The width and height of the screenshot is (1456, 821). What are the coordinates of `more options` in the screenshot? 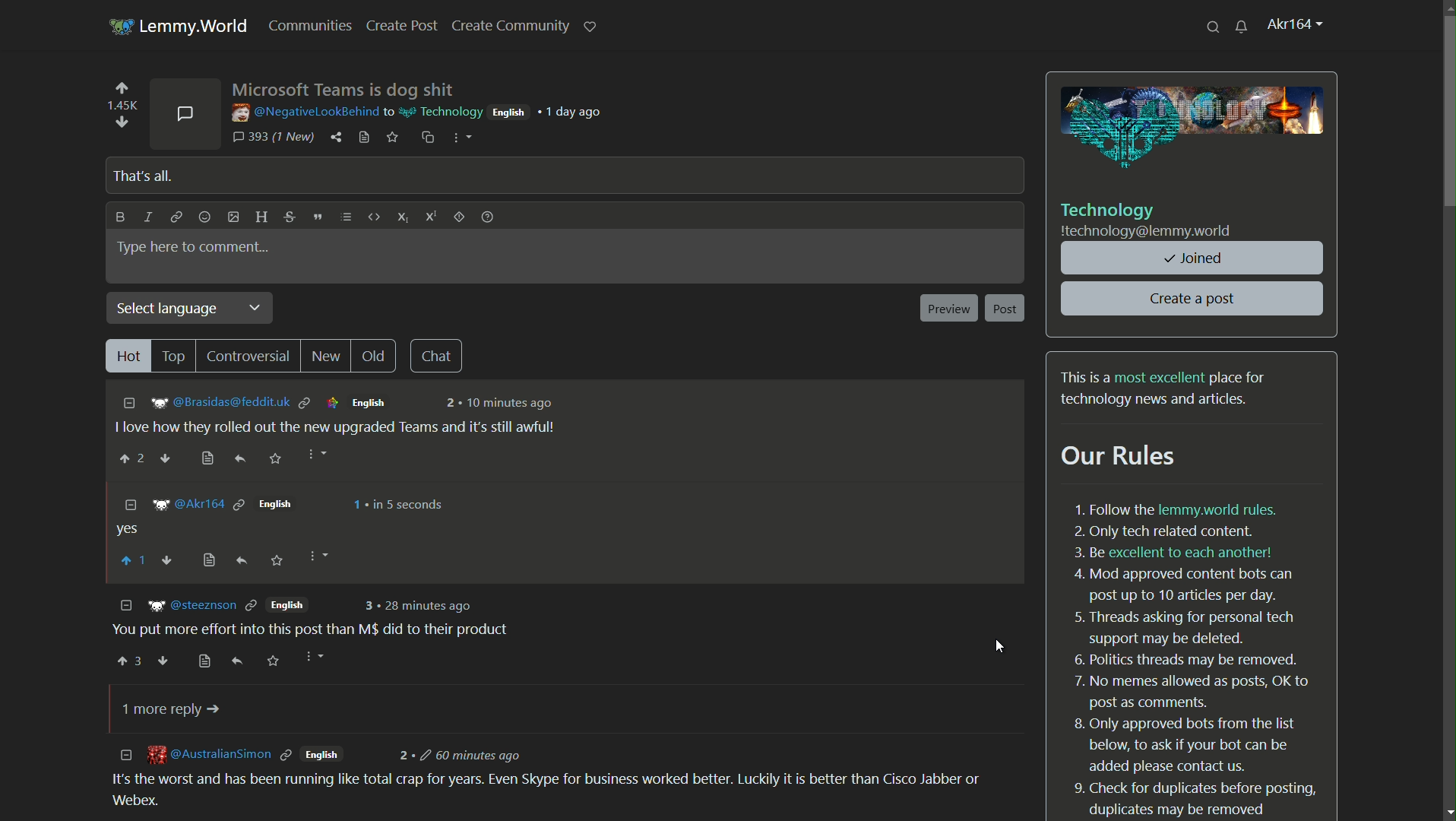 It's located at (459, 138).